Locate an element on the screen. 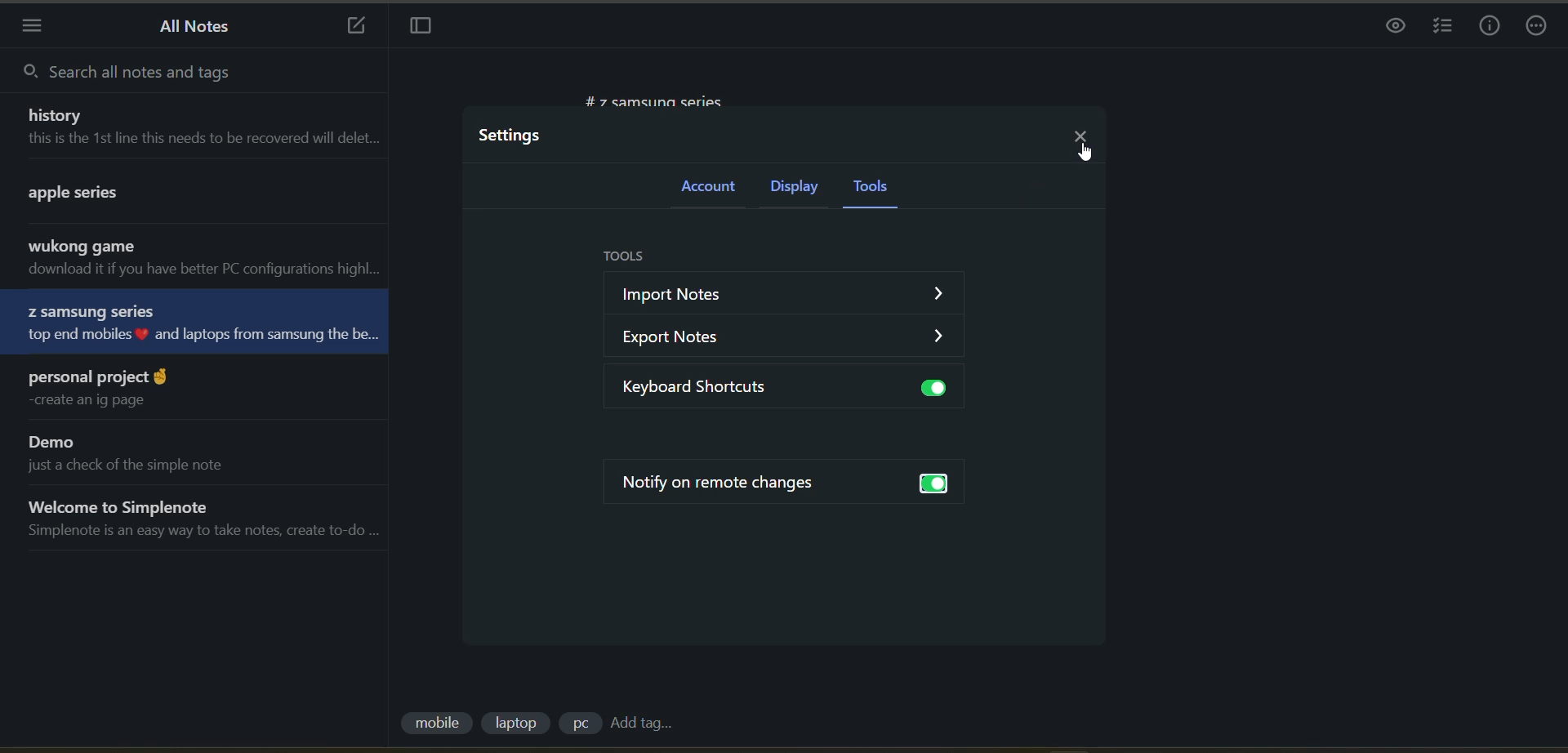  search all notes and tags is located at coordinates (172, 75).